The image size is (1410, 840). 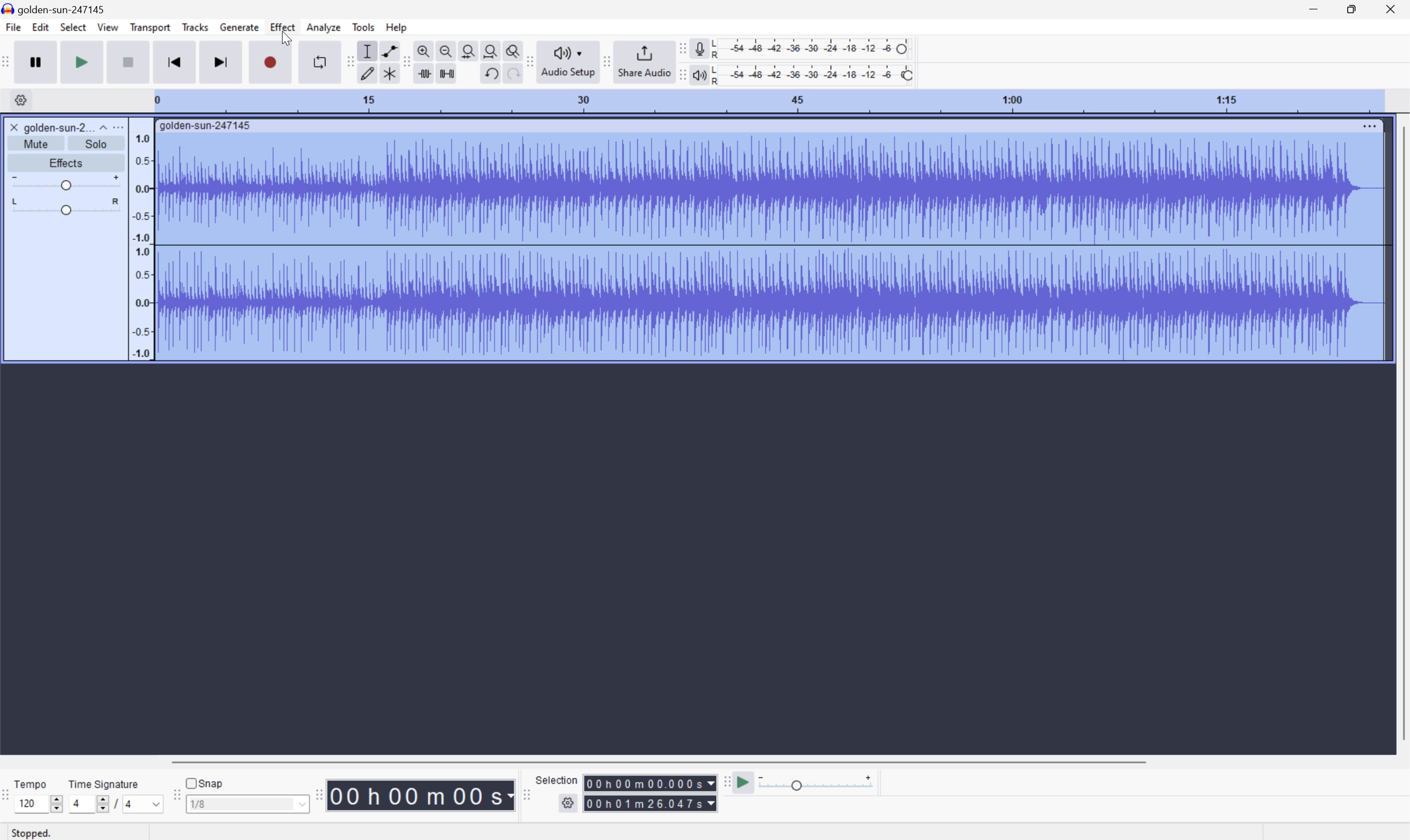 I want to click on Transport, so click(x=150, y=27).